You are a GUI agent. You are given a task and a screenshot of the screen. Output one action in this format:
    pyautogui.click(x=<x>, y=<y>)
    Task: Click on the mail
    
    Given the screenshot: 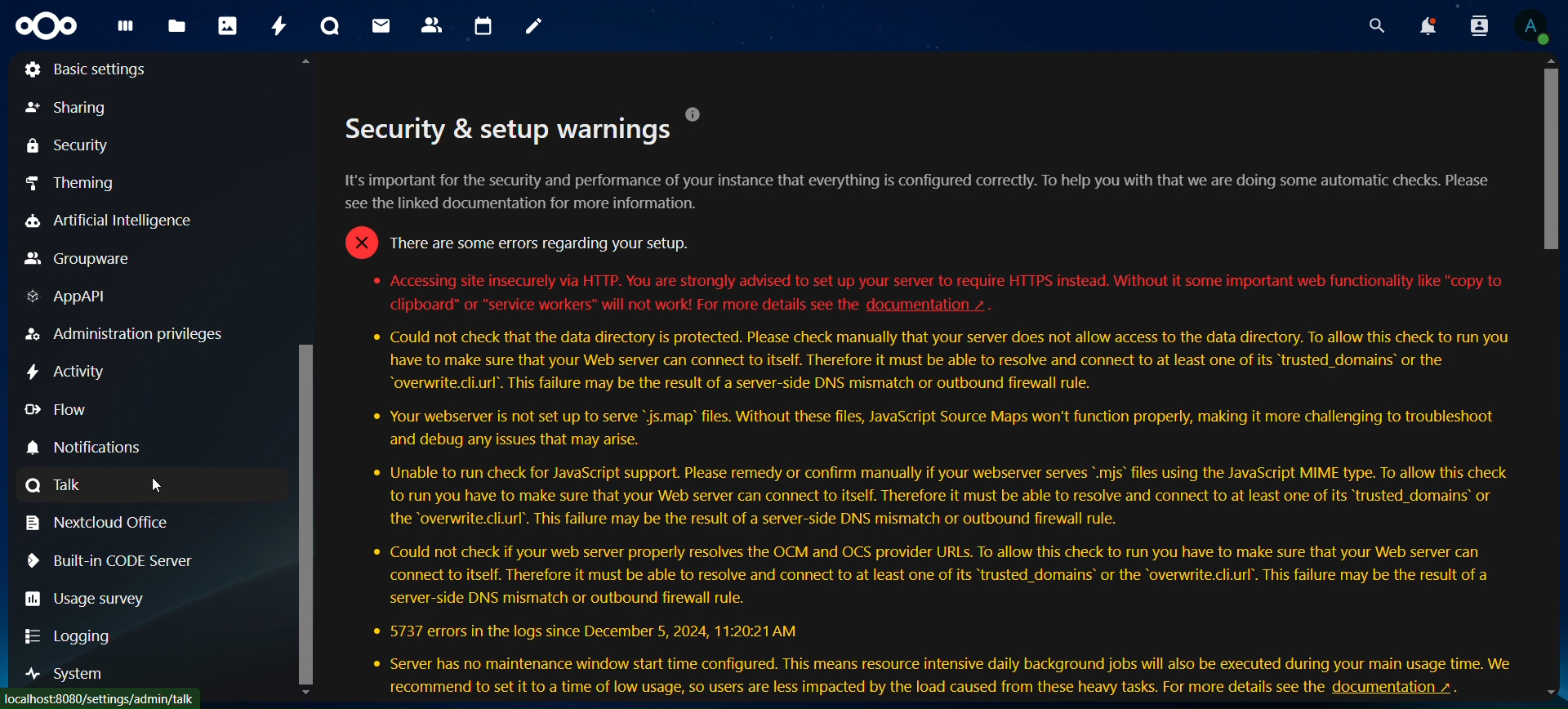 What is the action you would take?
    pyautogui.click(x=385, y=27)
    